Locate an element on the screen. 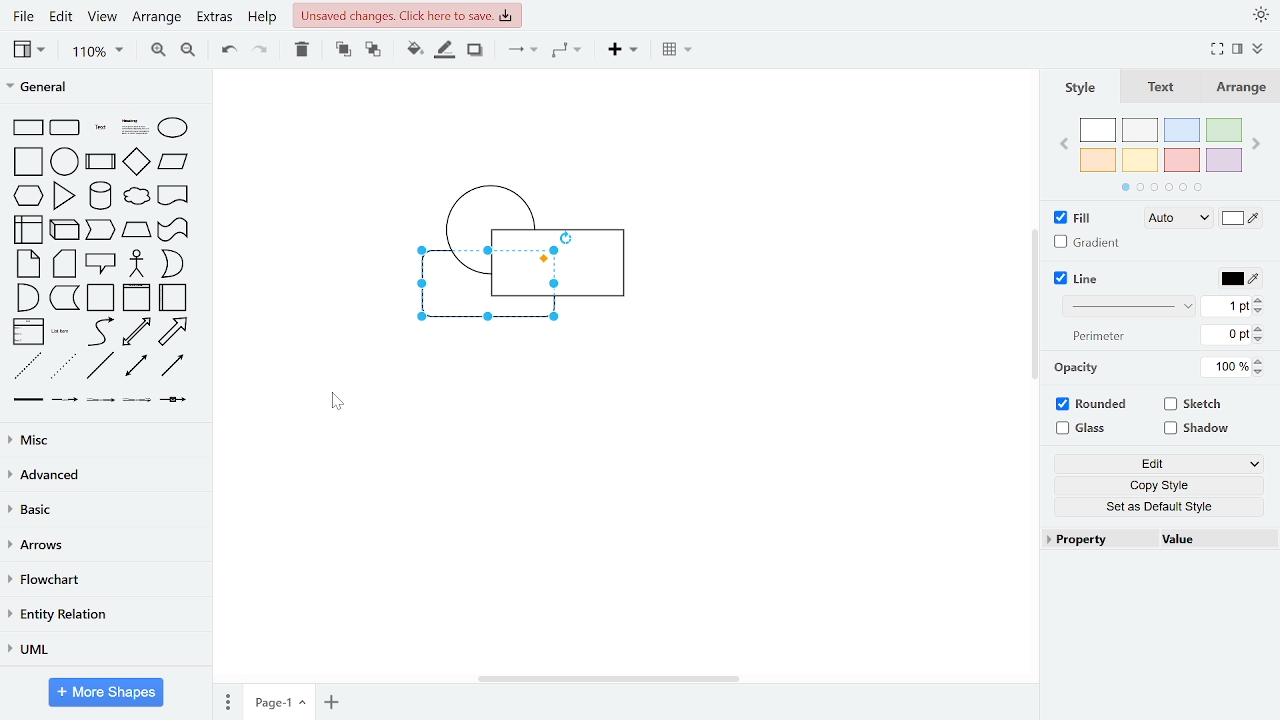 Image resolution: width=1280 pixels, height=720 pixels. full screen is located at coordinates (1217, 49).